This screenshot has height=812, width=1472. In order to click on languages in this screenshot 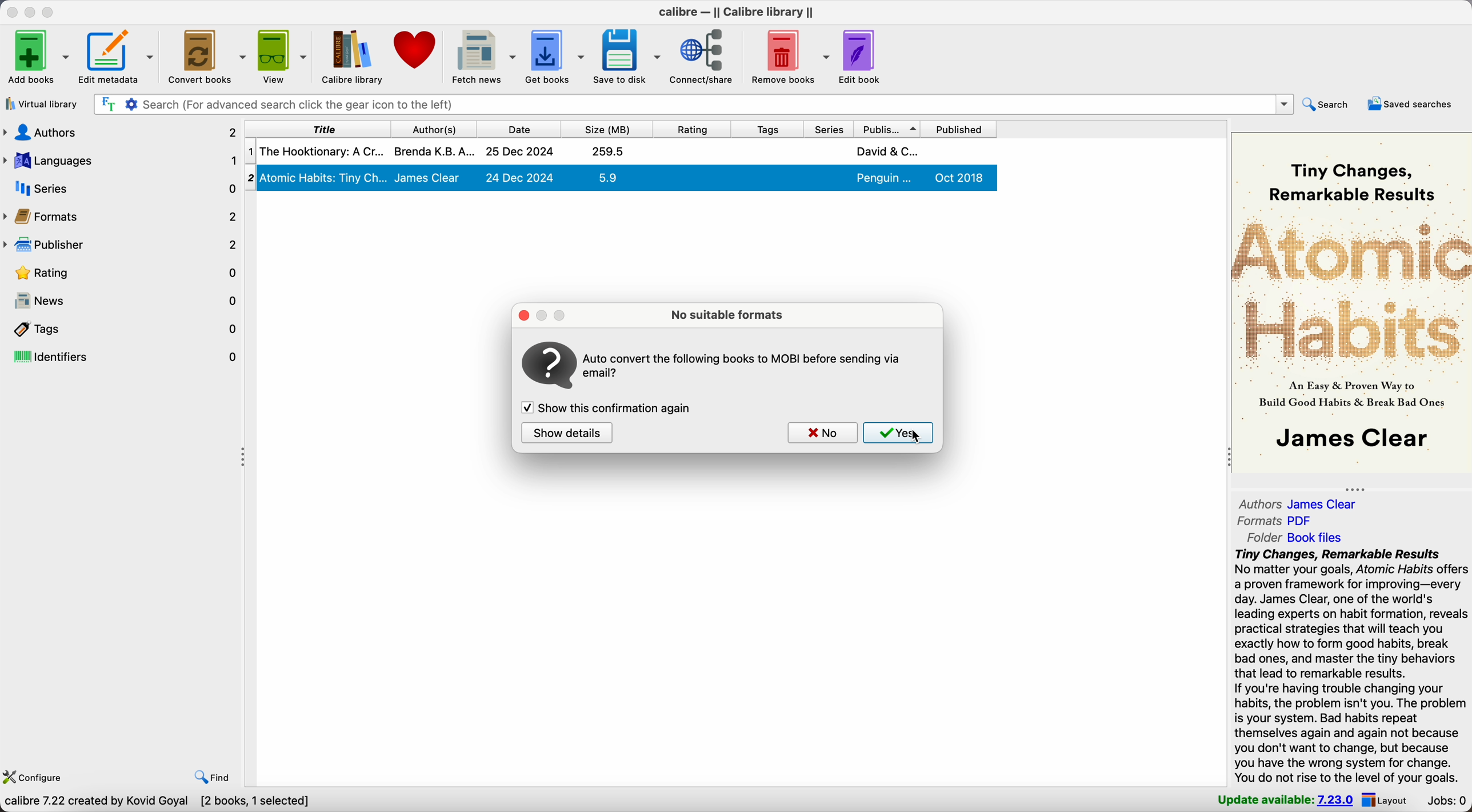, I will do `click(121, 162)`.